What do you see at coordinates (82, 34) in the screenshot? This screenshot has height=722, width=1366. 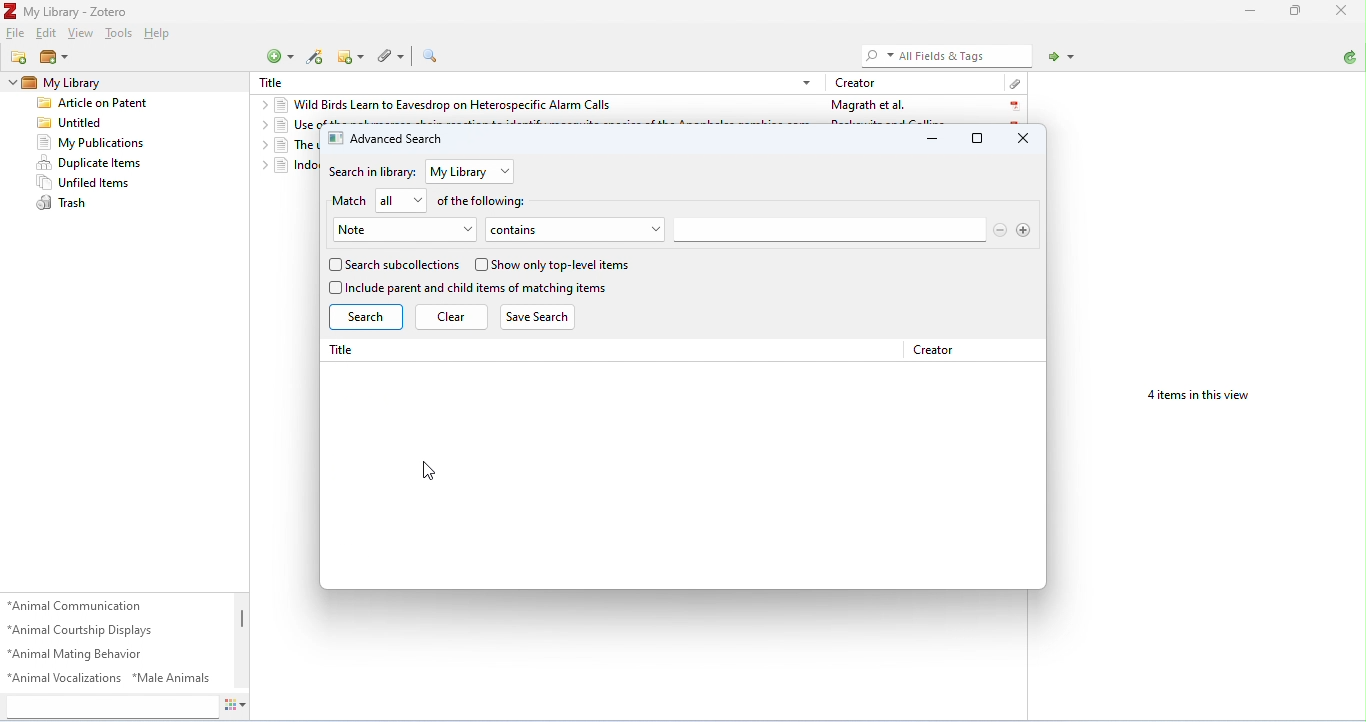 I see `view` at bounding box center [82, 34].